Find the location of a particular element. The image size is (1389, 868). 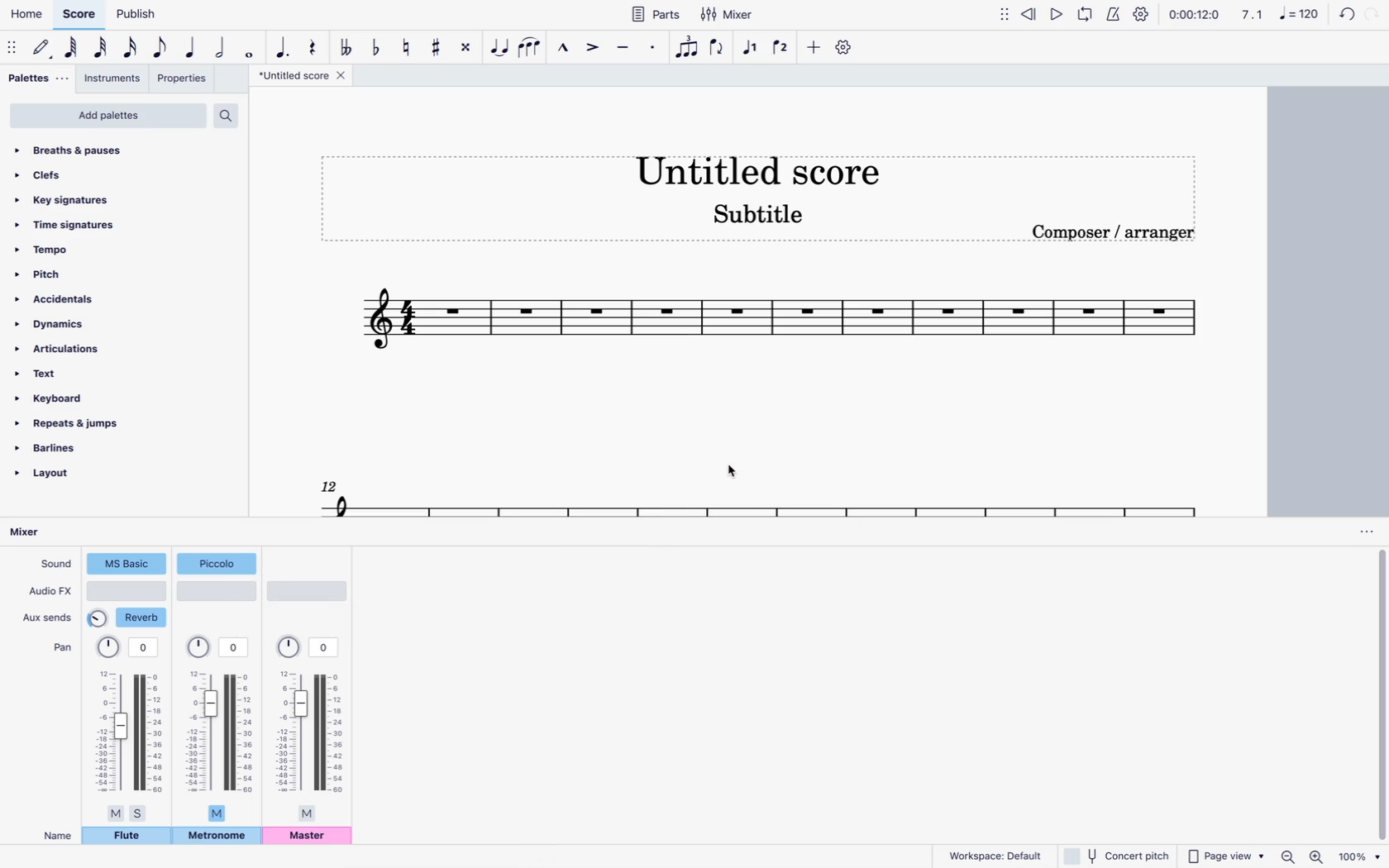

pan is located at coordinates (130, 728).